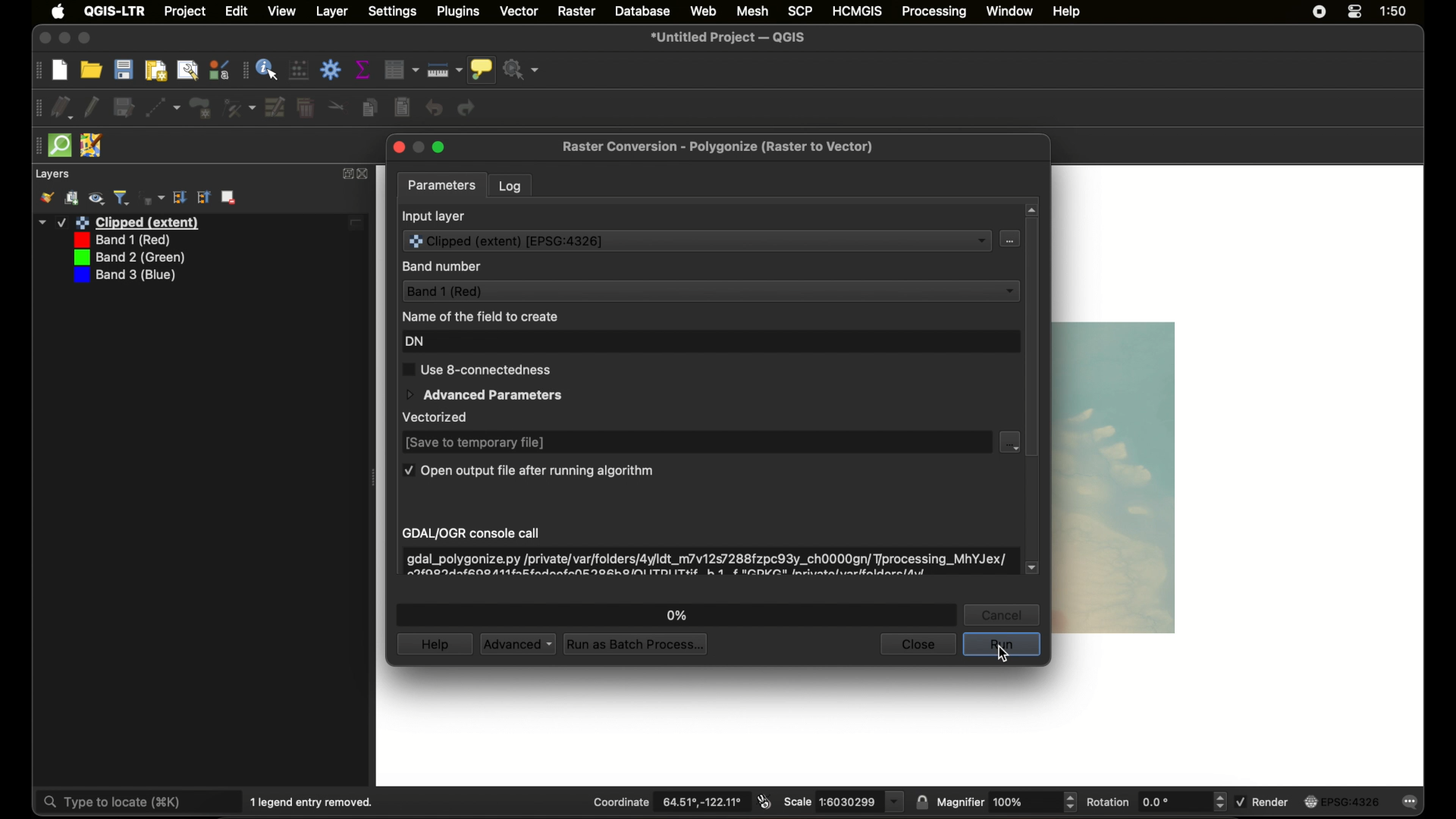 The width and height of the screenshot is (1456, 819). What do you see at coordinates (281, 11) in the screenshot?
I see `view` at bounding box center [281, 11].